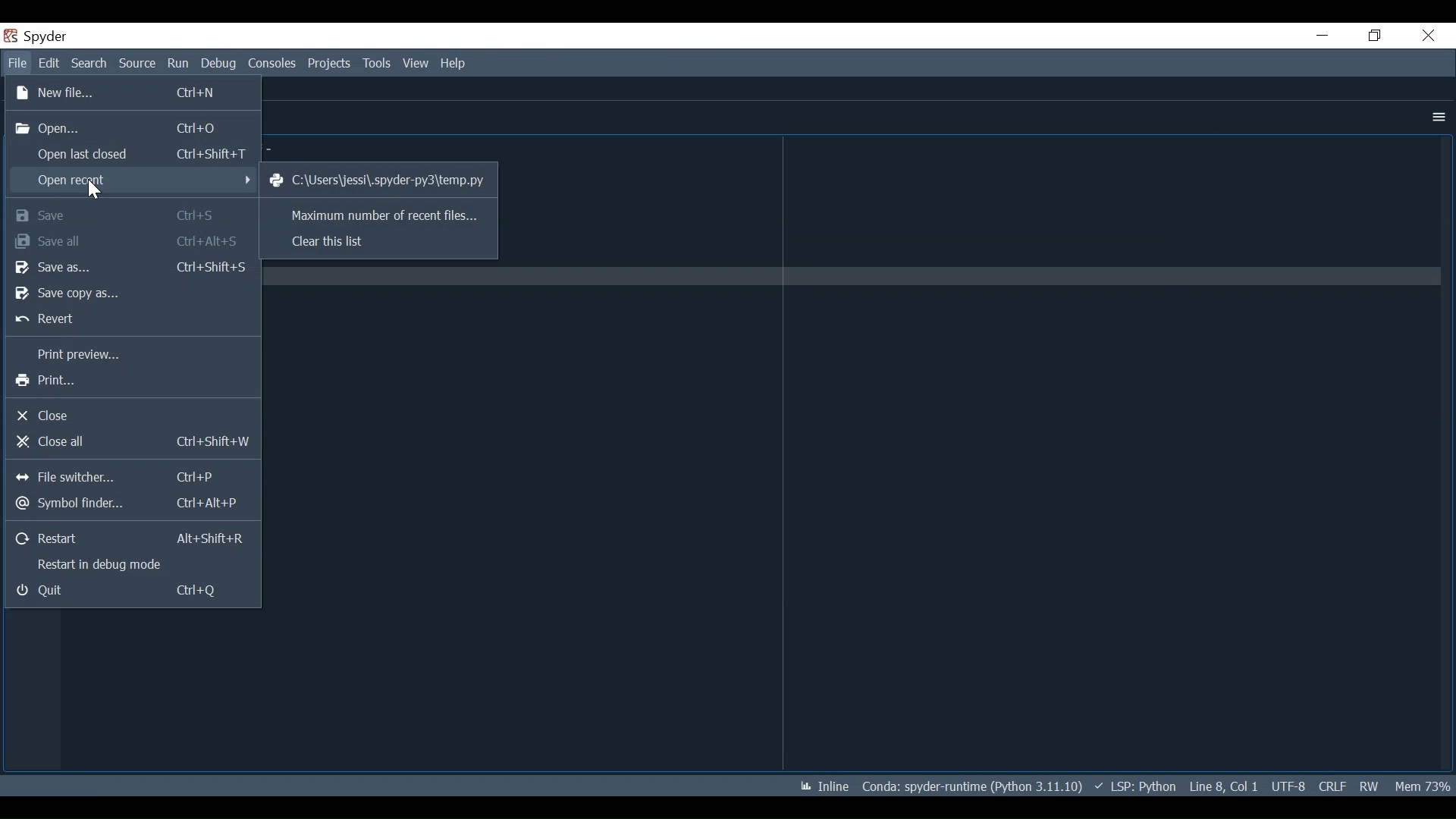  What do you see at coordinates (329, 64) in the screenshot?
I see `Projects` at bounding box center [329, 64].